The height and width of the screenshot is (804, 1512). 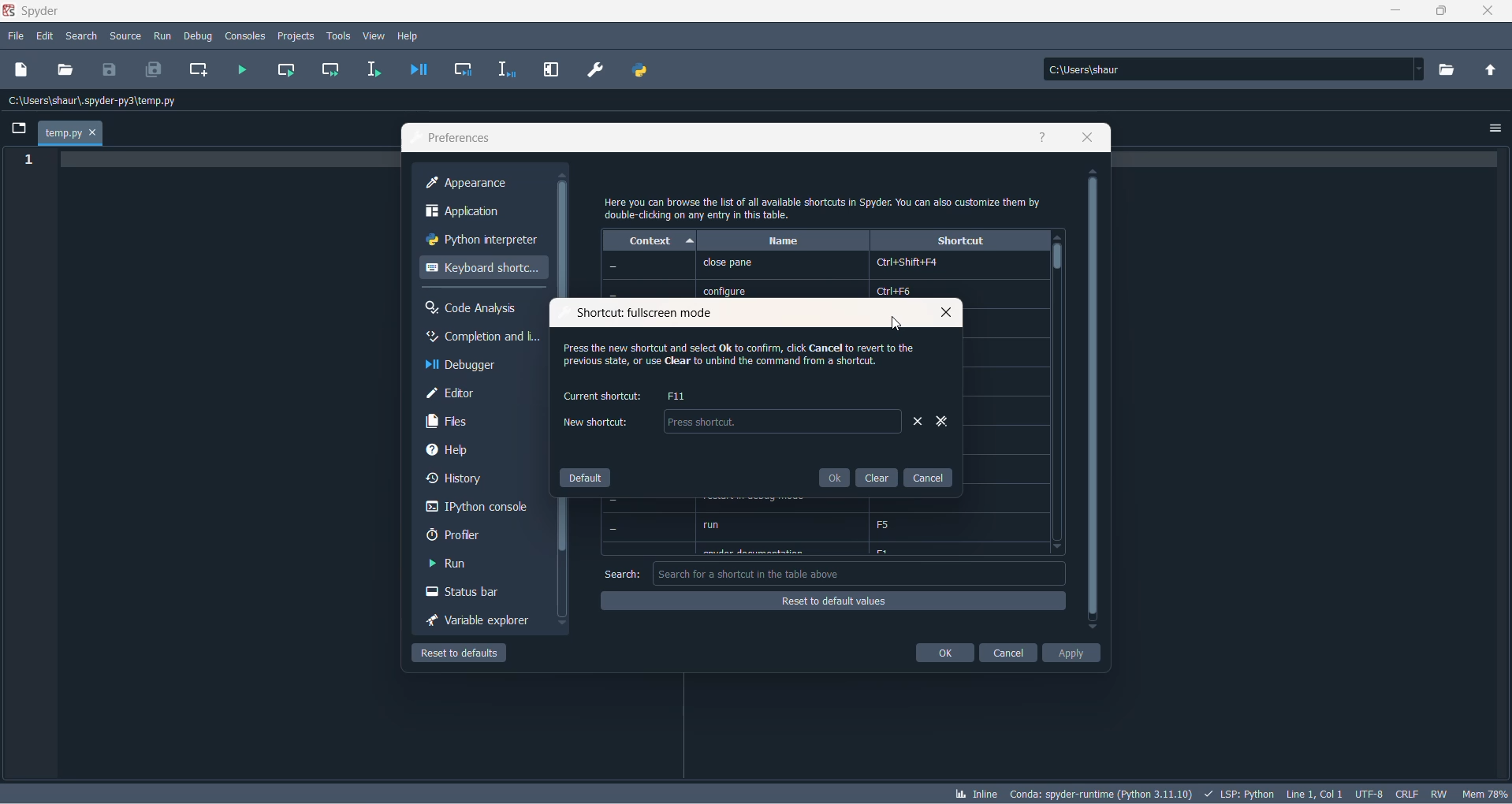 I want to click on shortcut, so click(x=959, y=241).